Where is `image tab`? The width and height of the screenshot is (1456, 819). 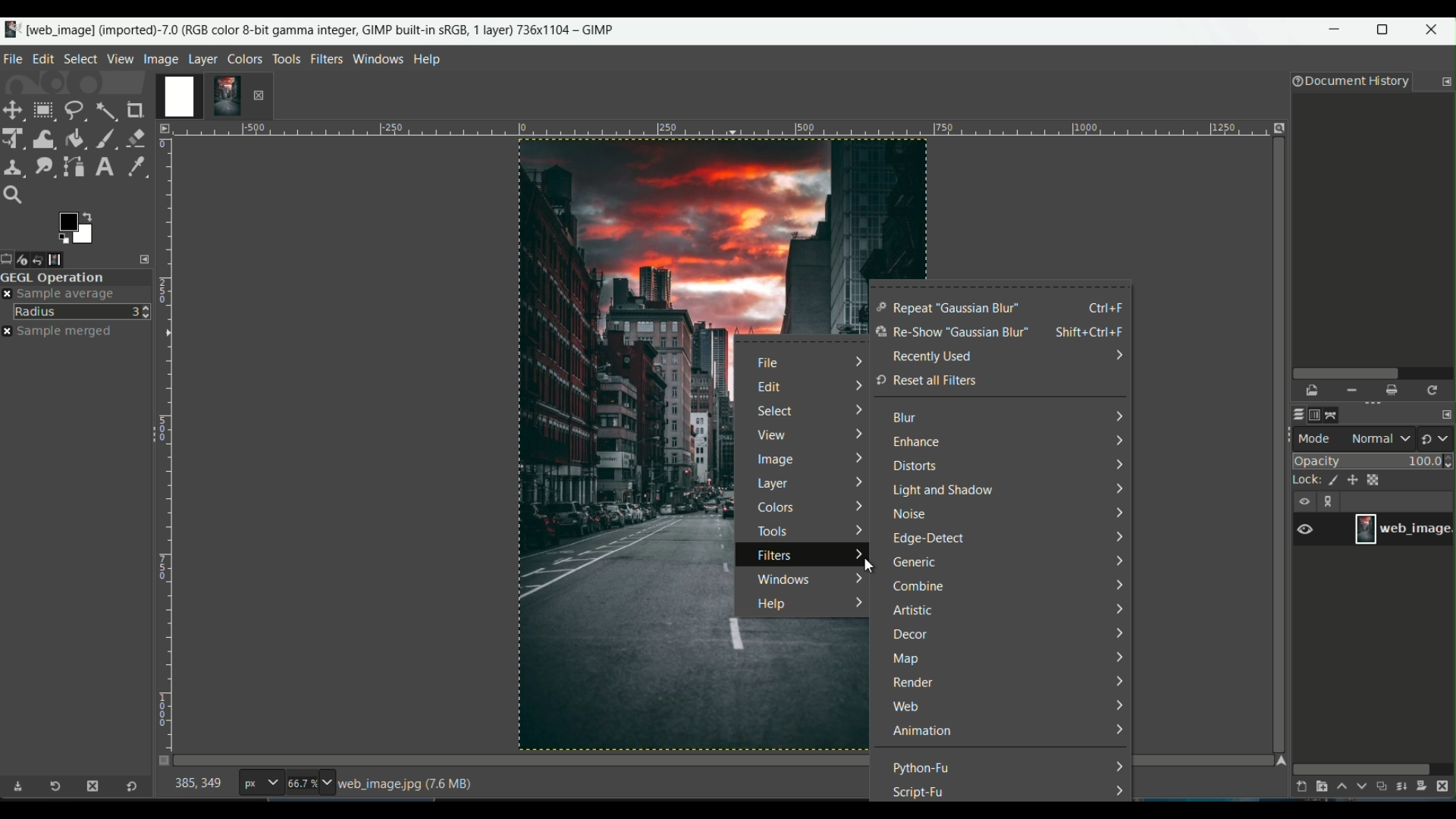
image tab is located at coordinates (161, 58).